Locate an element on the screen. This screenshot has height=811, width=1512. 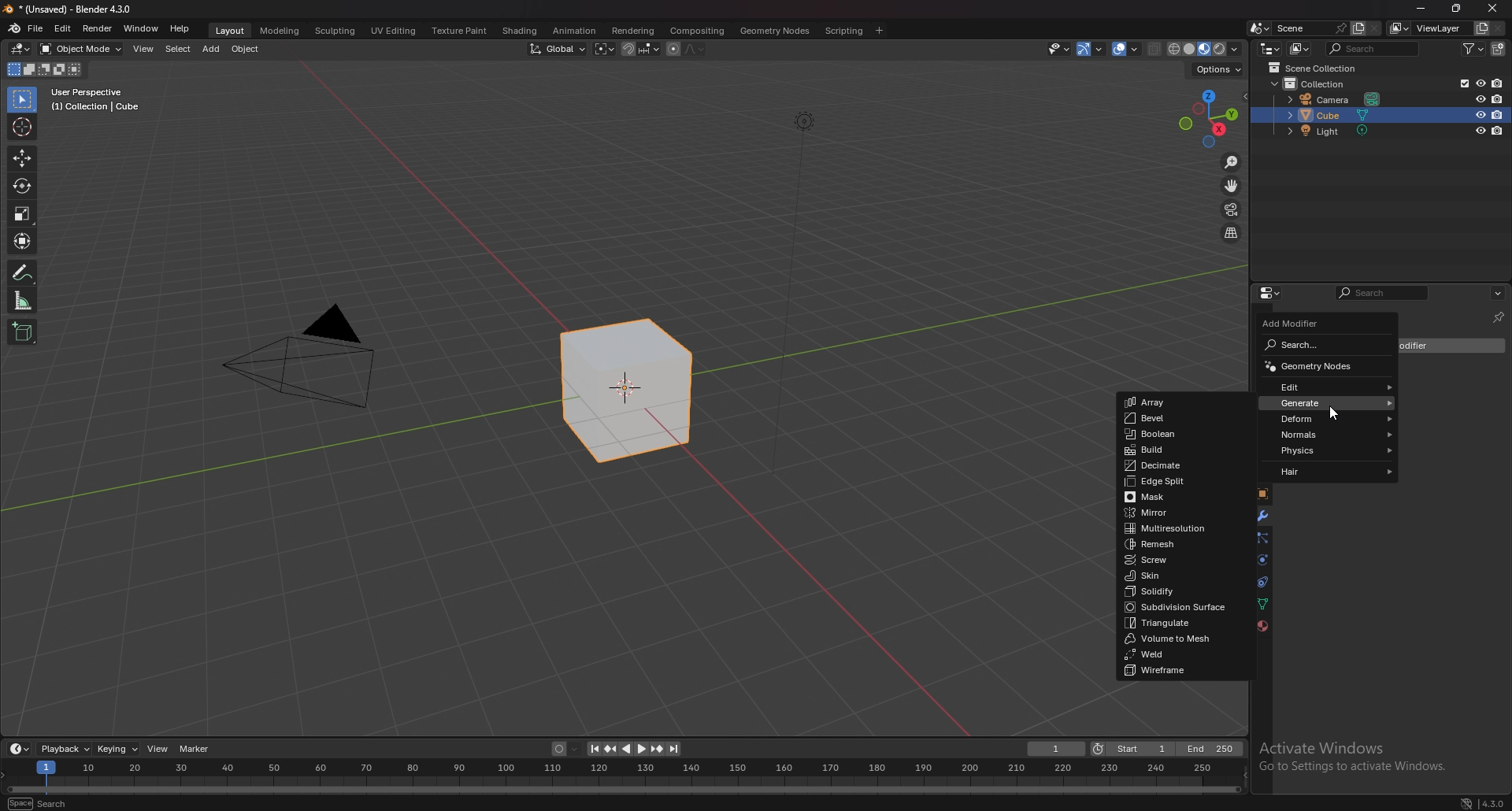
keying is located at coordinates (117, 749).